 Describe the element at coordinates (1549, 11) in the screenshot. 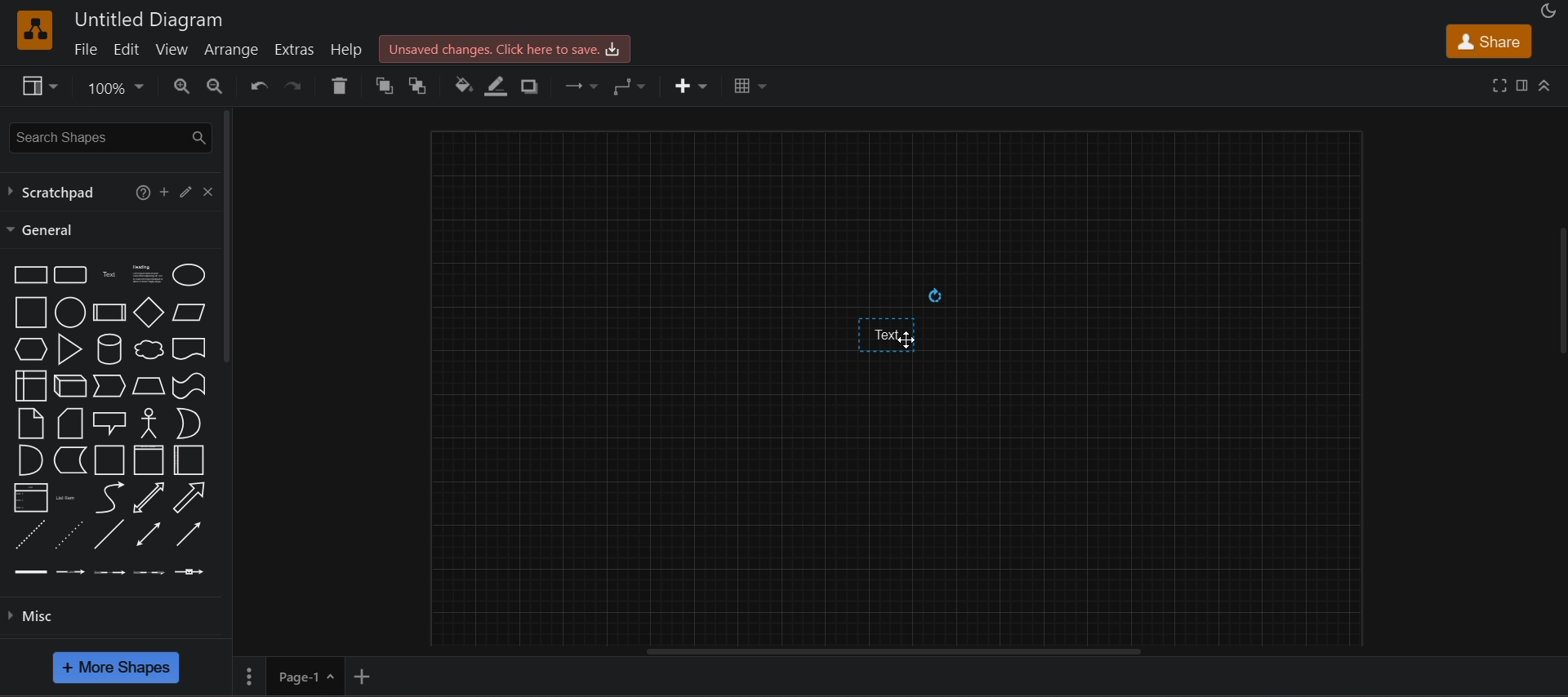

I see `Night mode appearance` at that location.